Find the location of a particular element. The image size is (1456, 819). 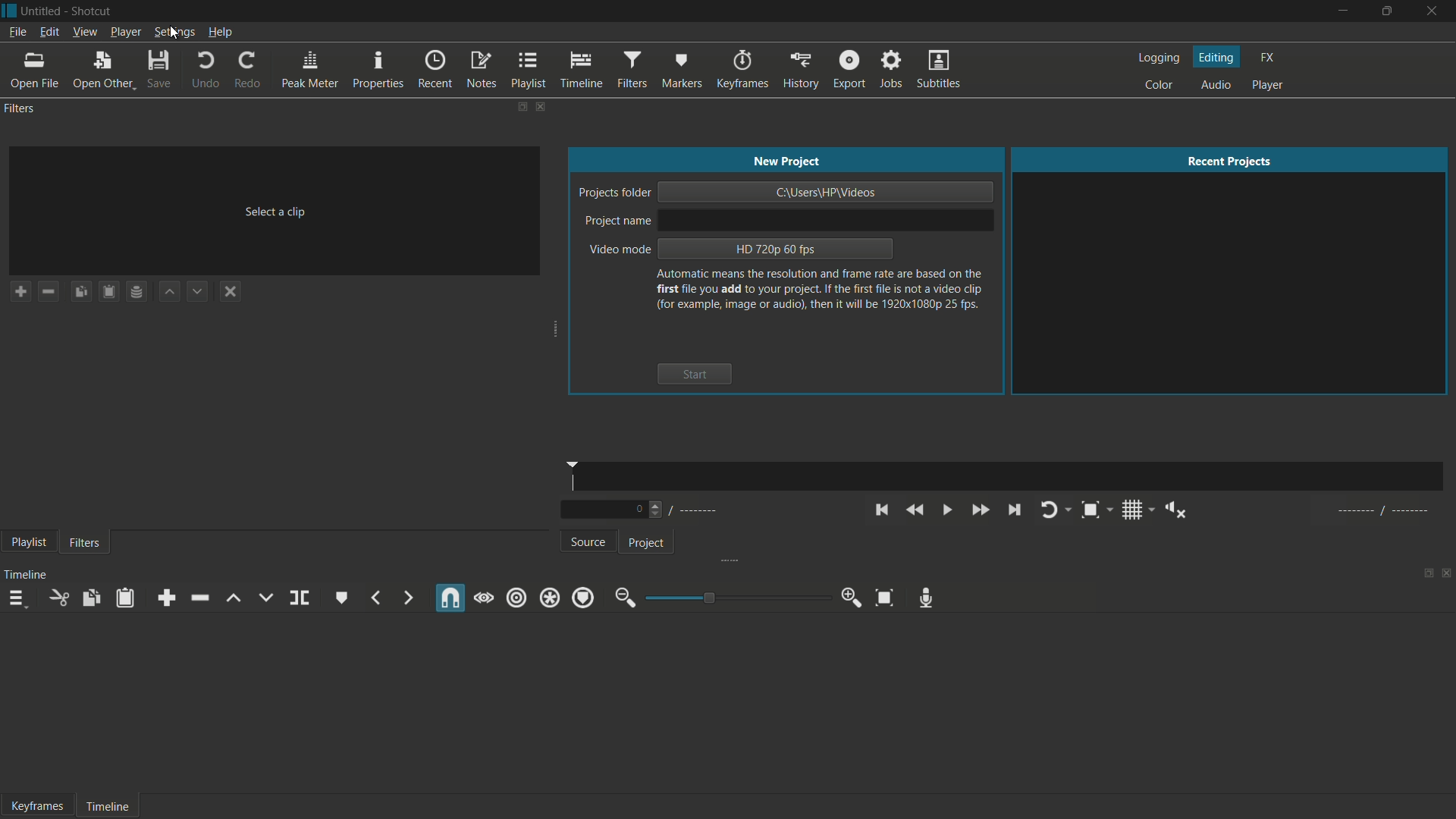

editing is located at coordinates (1217, 57).